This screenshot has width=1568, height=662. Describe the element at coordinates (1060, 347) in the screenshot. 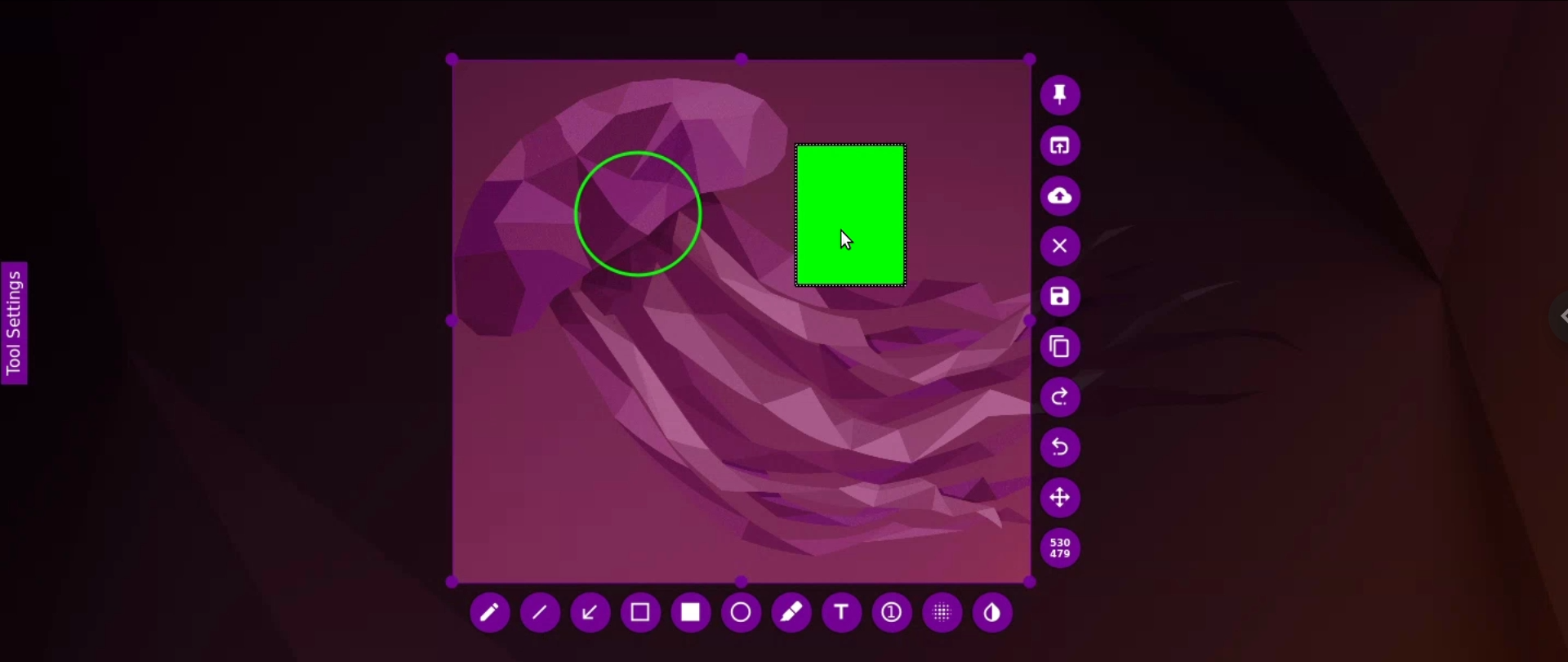

I see `copy` at that location.